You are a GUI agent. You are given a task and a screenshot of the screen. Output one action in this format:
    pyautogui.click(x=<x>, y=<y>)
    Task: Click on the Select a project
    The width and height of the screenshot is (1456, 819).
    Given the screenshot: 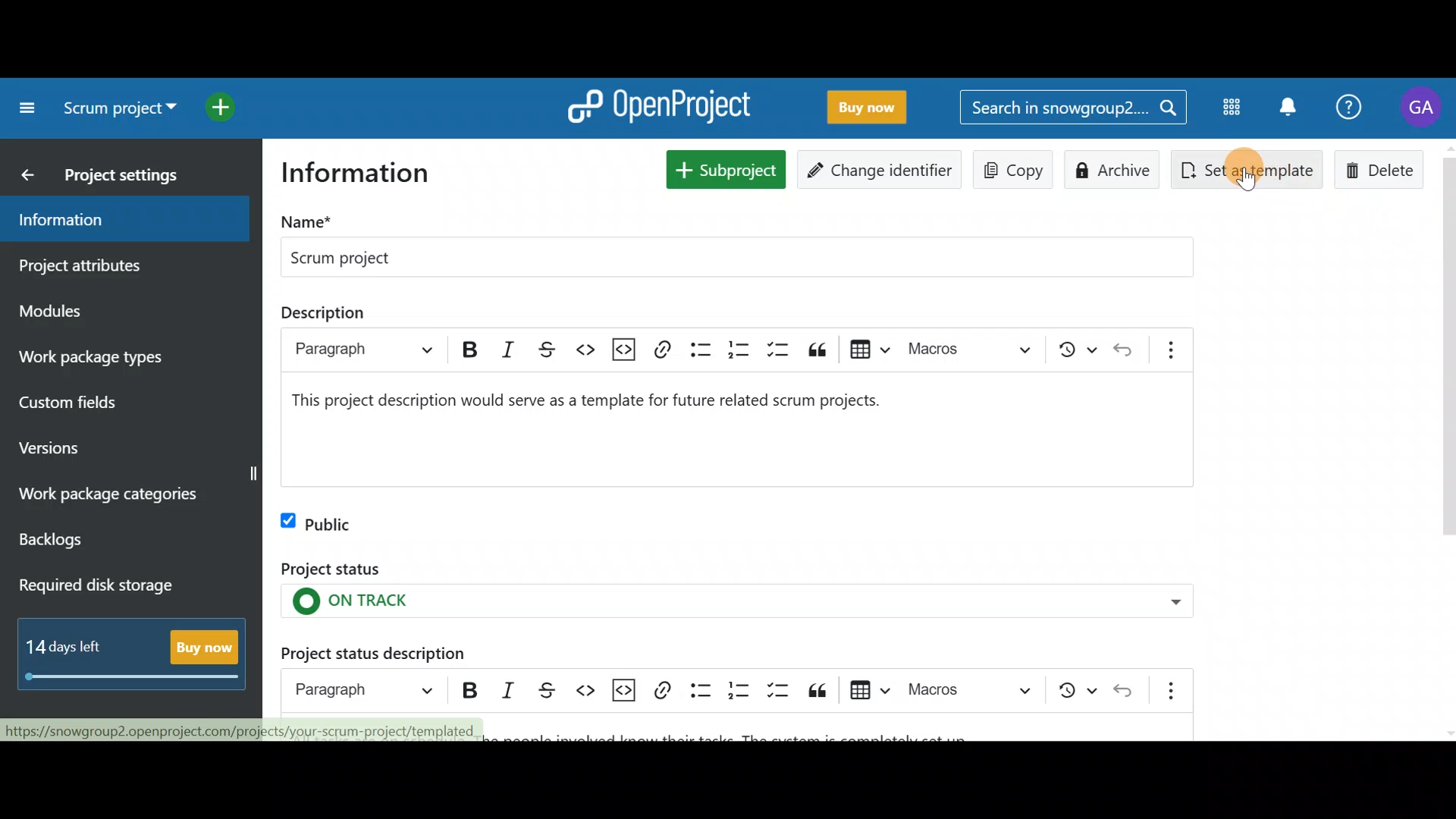 What is the action you would take?
    pyautogui.click(x=123, y=114)
    